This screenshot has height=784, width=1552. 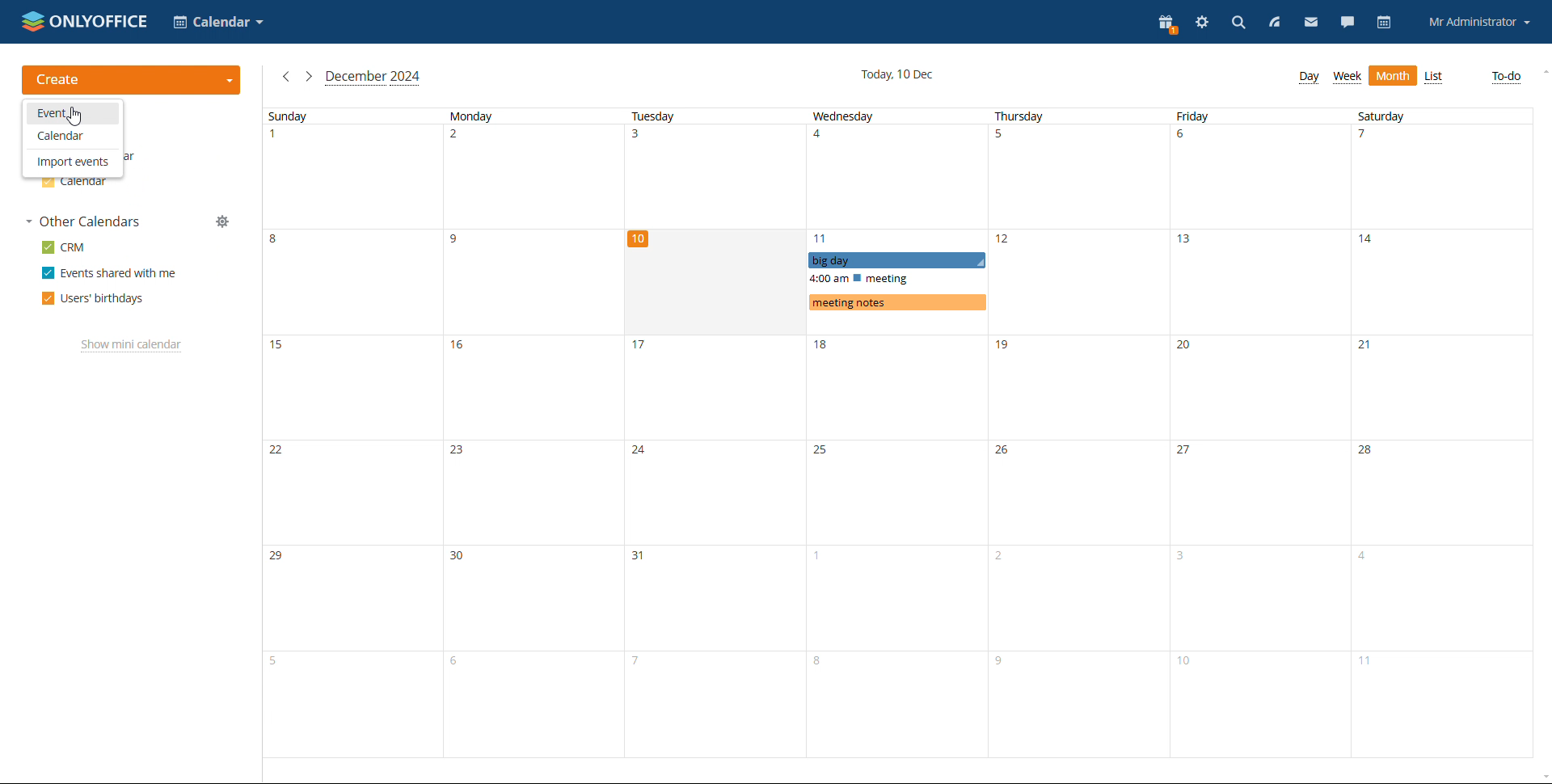 I want to click on manage, so click(x=223, y=221).